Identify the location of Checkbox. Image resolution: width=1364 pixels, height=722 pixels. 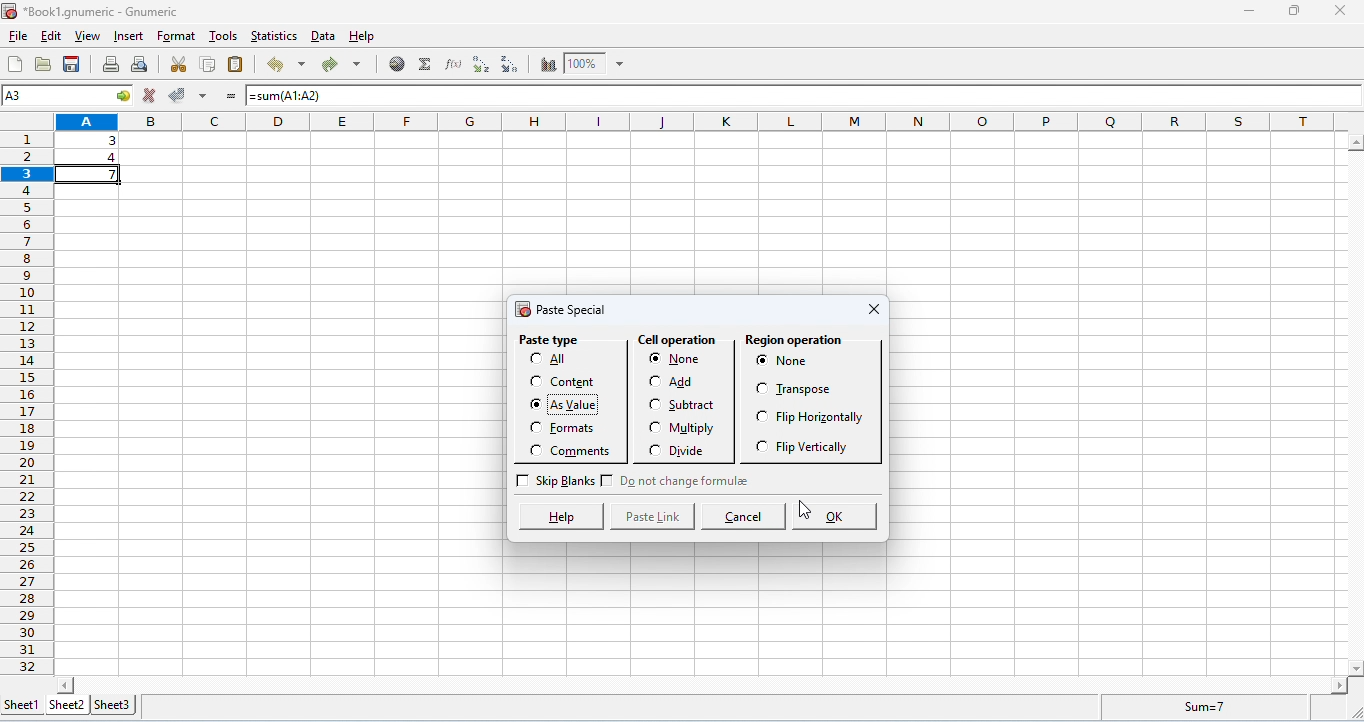
(757, 447).